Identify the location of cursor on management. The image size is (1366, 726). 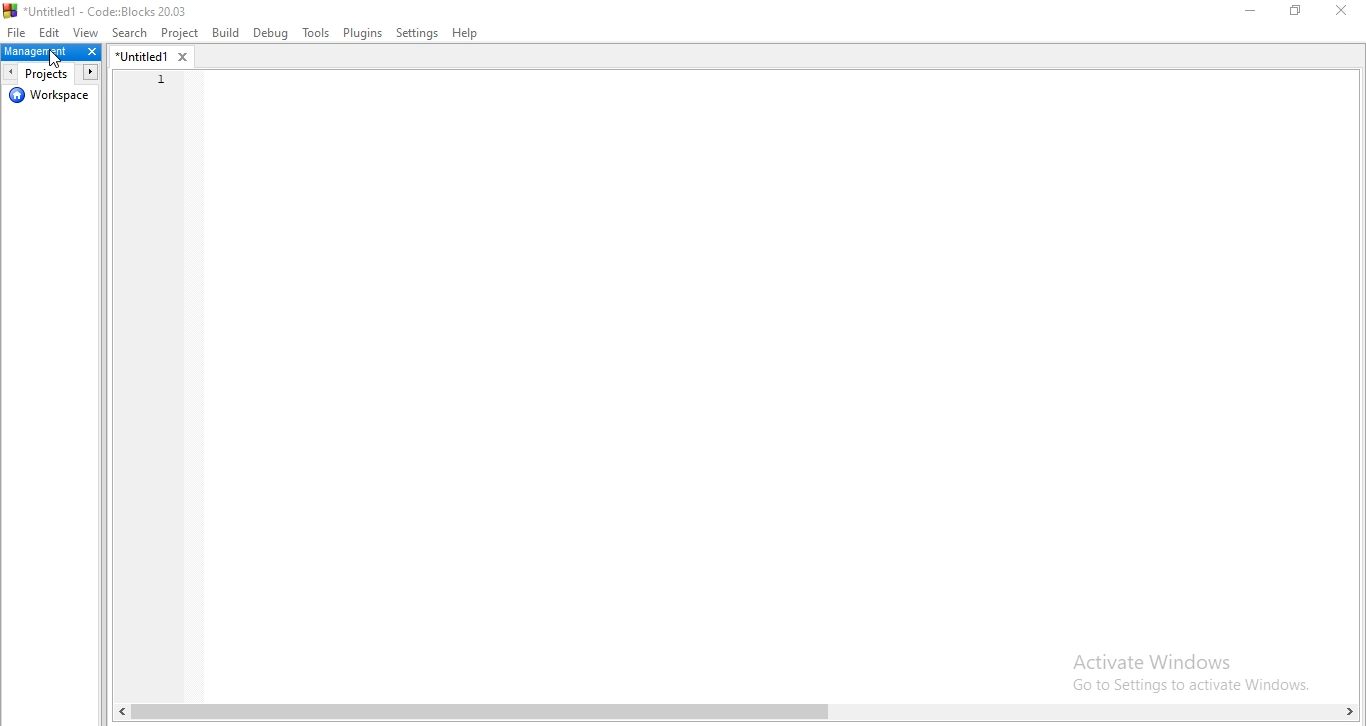
(56, 61).